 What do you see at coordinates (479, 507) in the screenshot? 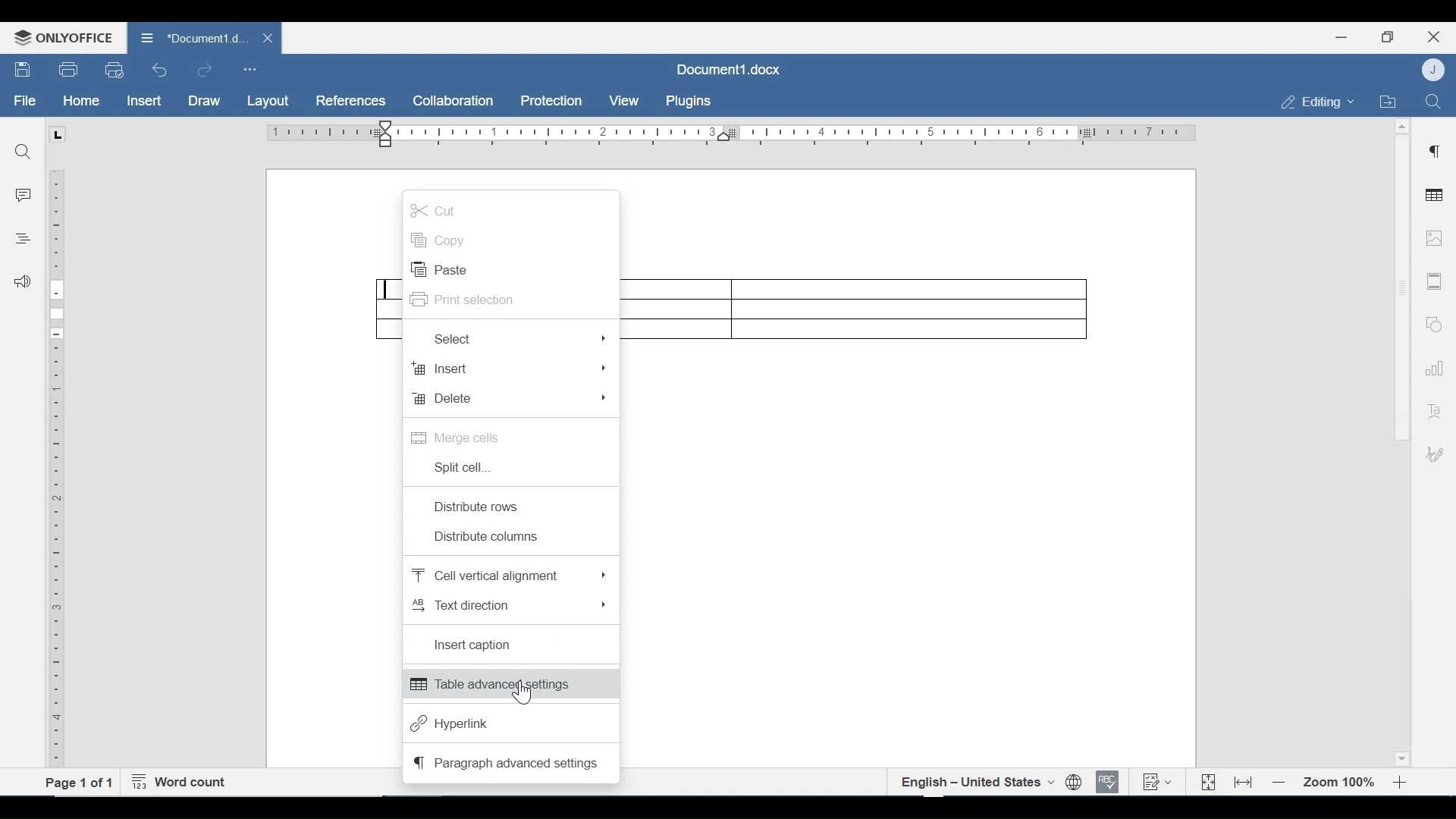
I see `Distribute rows` at bounding box center [479, 507].